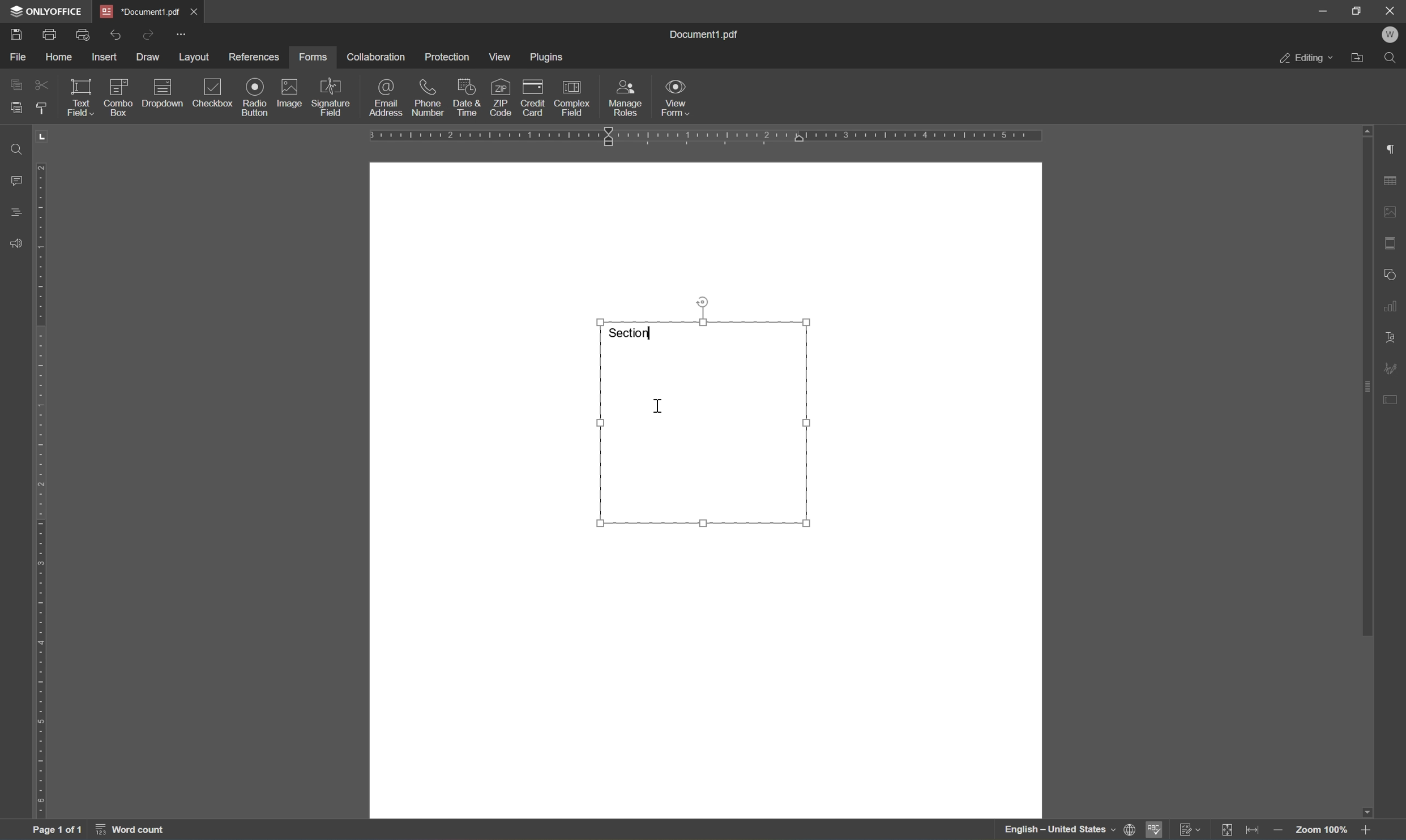 The width and height of the screenshot is (1406, 840). I want to click on home, so click(61, 57).